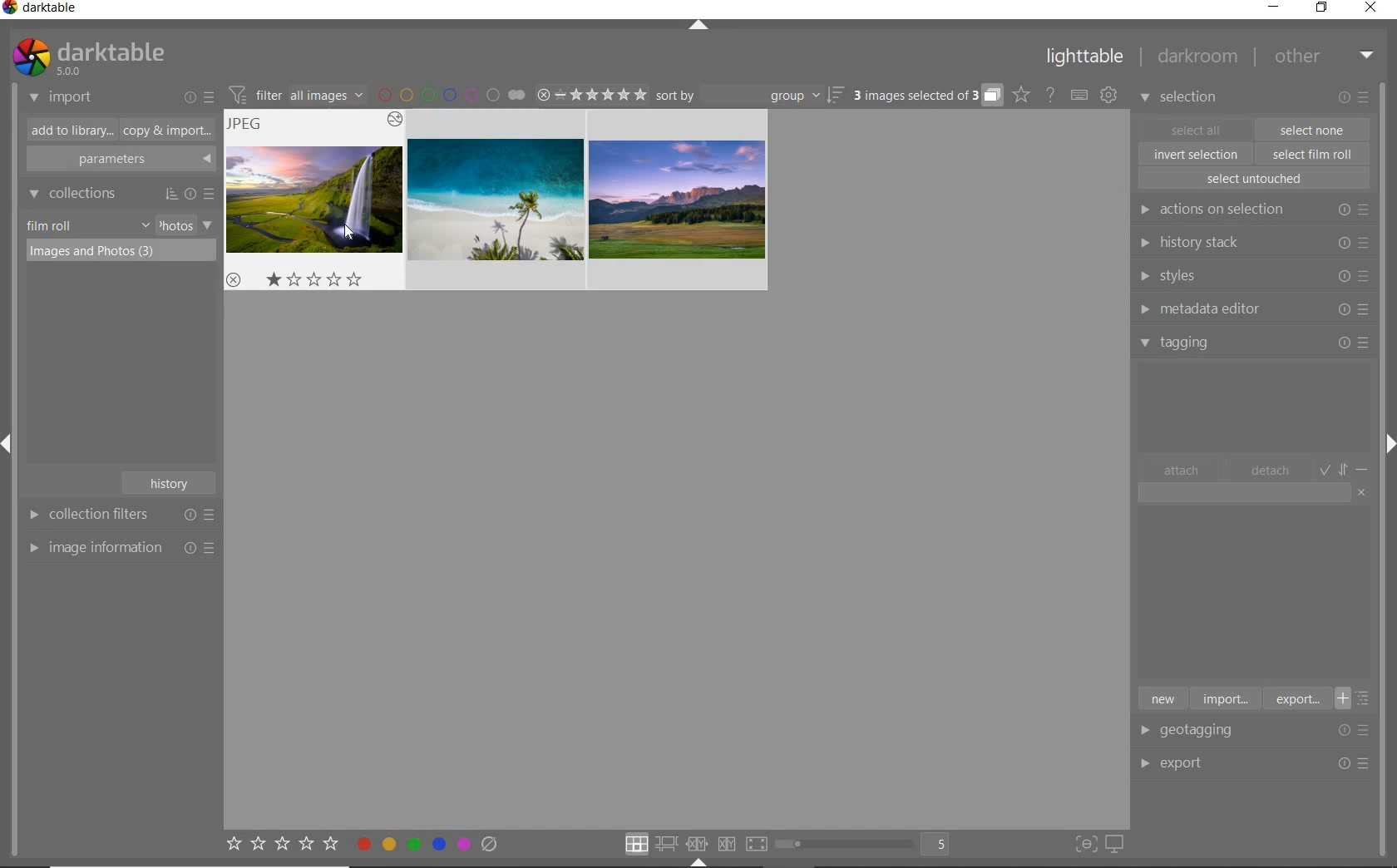 The height and width of the screenshot is (868, 1397). Describe the element at coordinates (1251, 242) in the screenshot. I see `history stack` at that location.